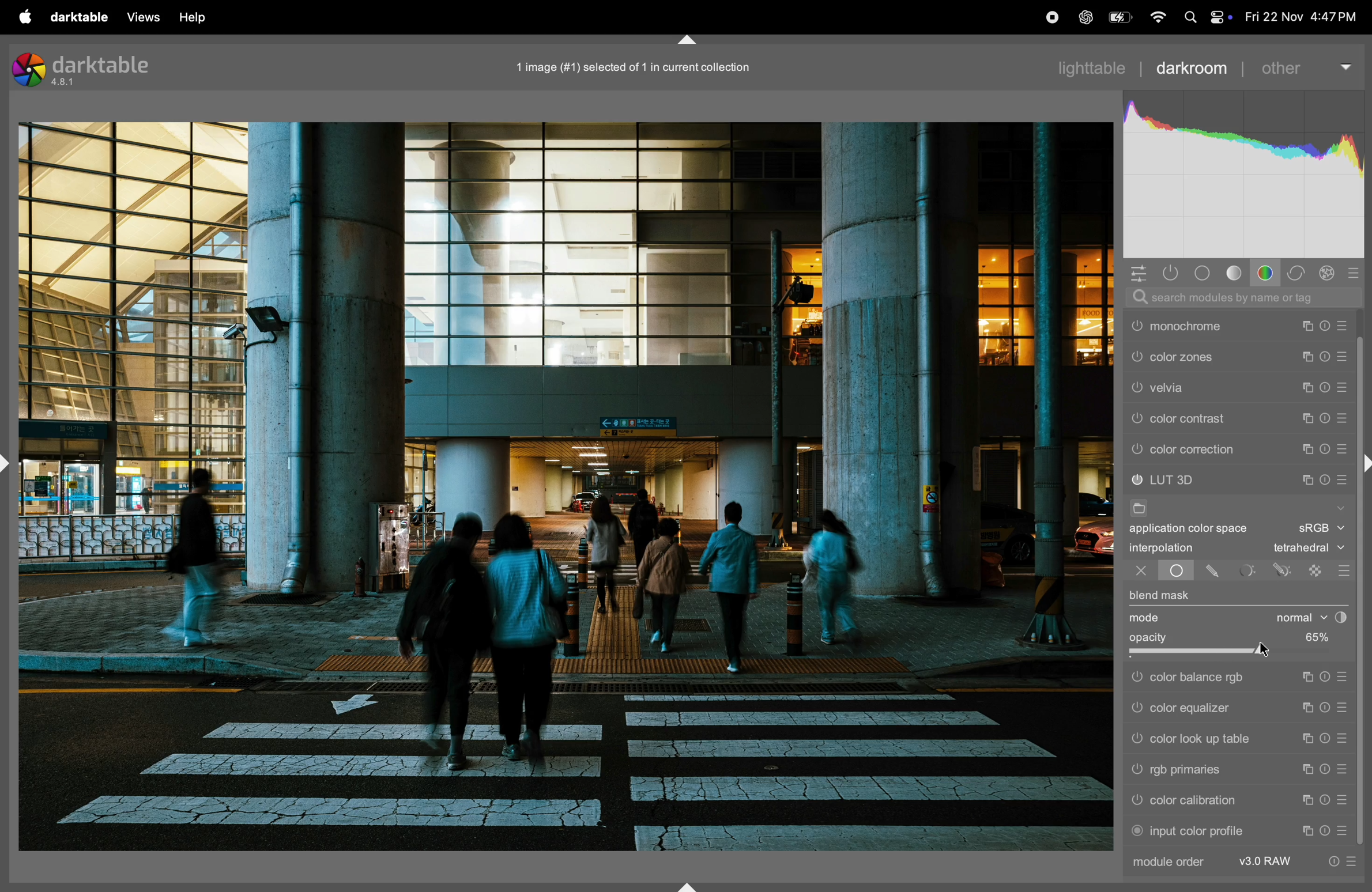 This screenshot has height=892, width=1372. I want to click on reset, so click(1325, 770).